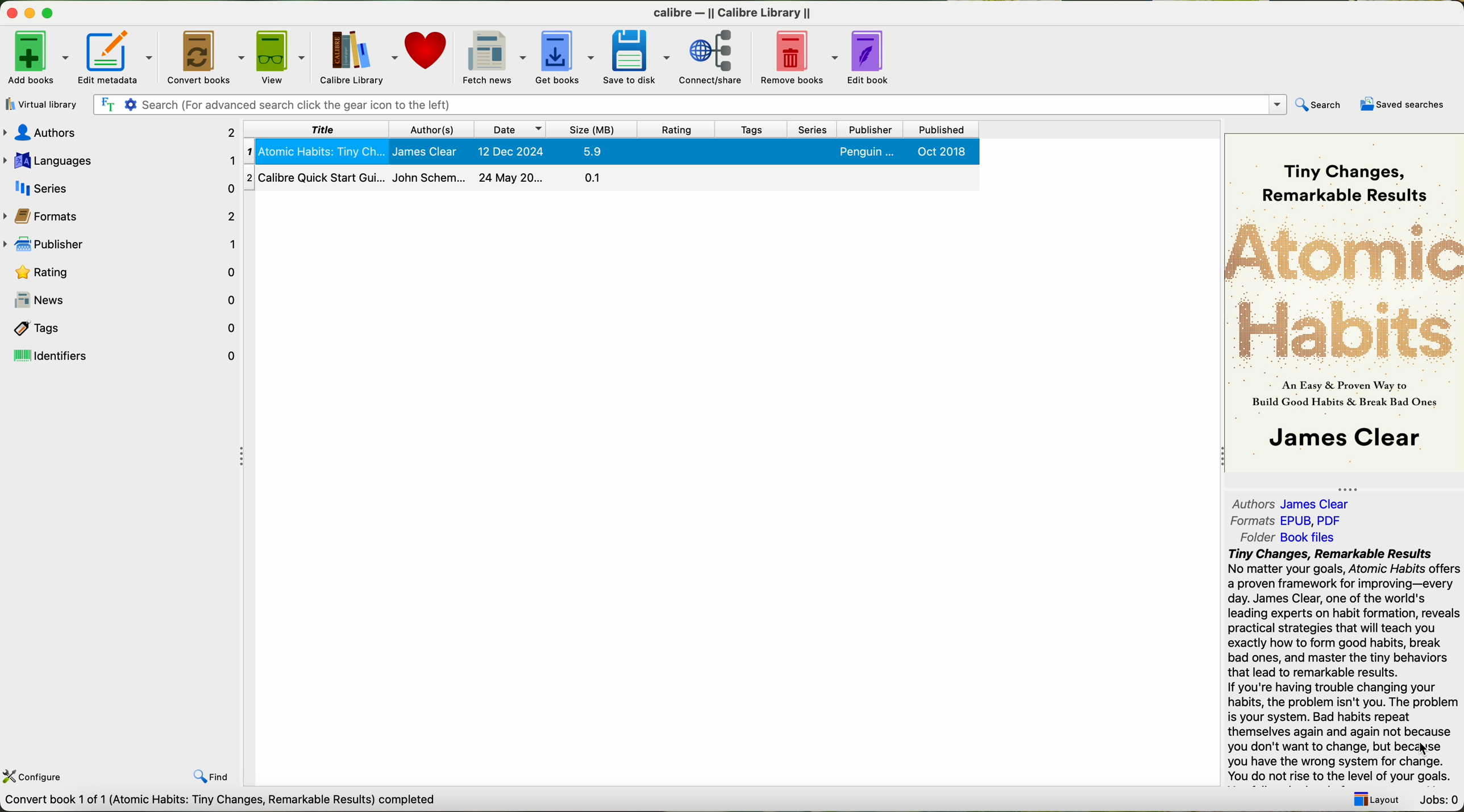  What do you see at coordinates (121, 214) in the screenshot?
I see `formats` at bounding box center [121, 214].